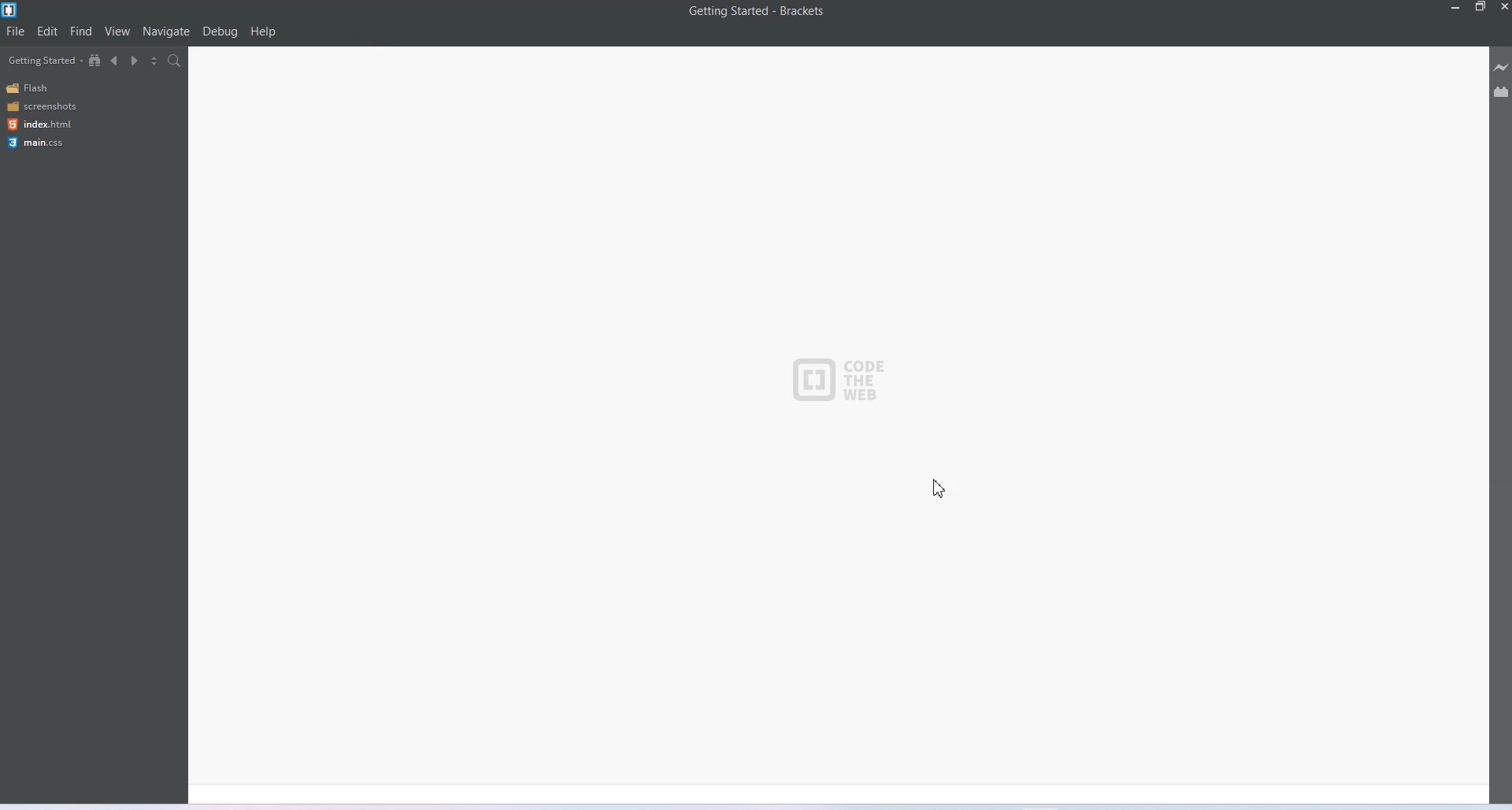  I want to click on Extension manager, so click(1501, 91).